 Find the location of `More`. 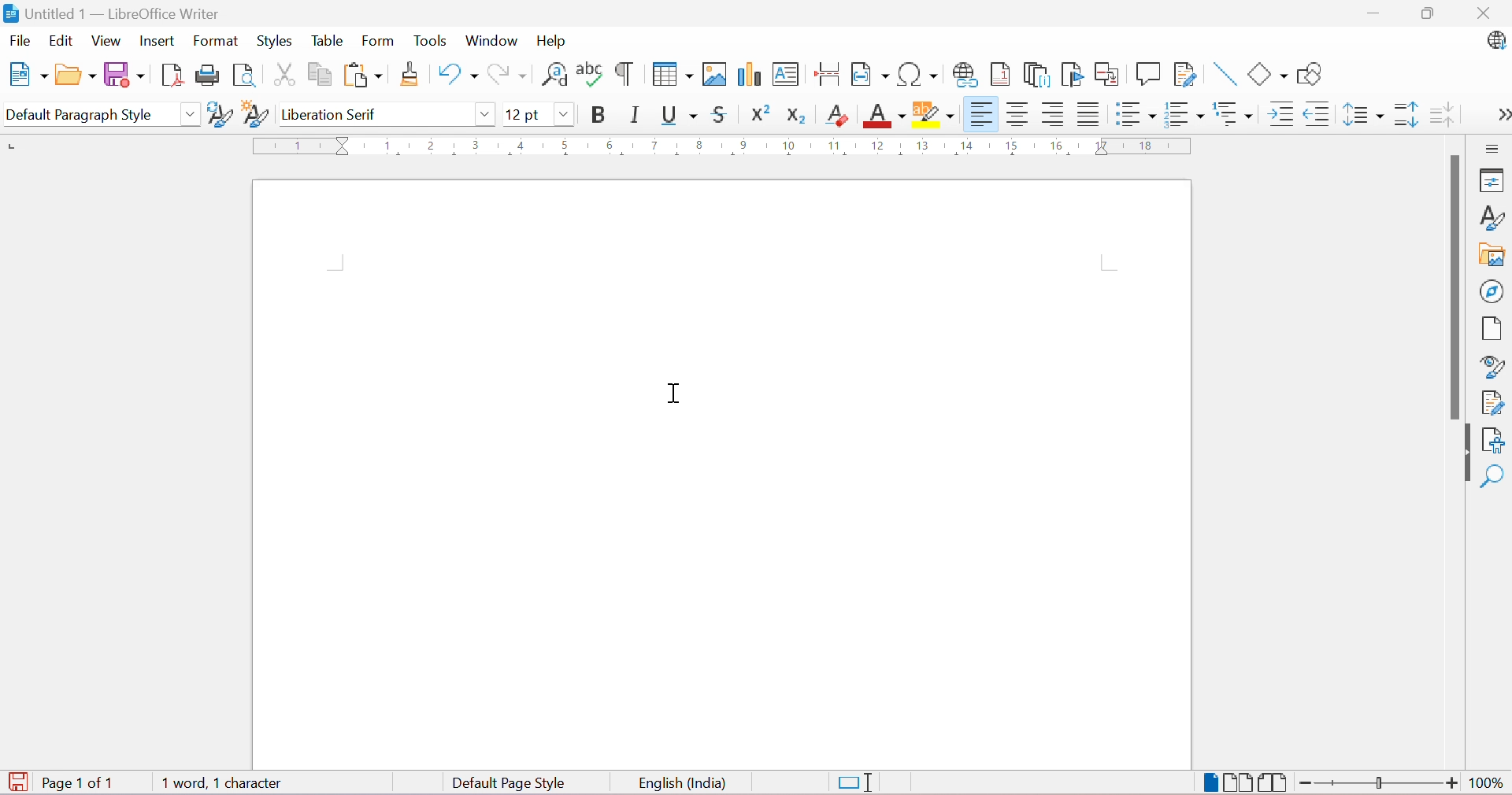

More is located at coordinates (1503, 113).